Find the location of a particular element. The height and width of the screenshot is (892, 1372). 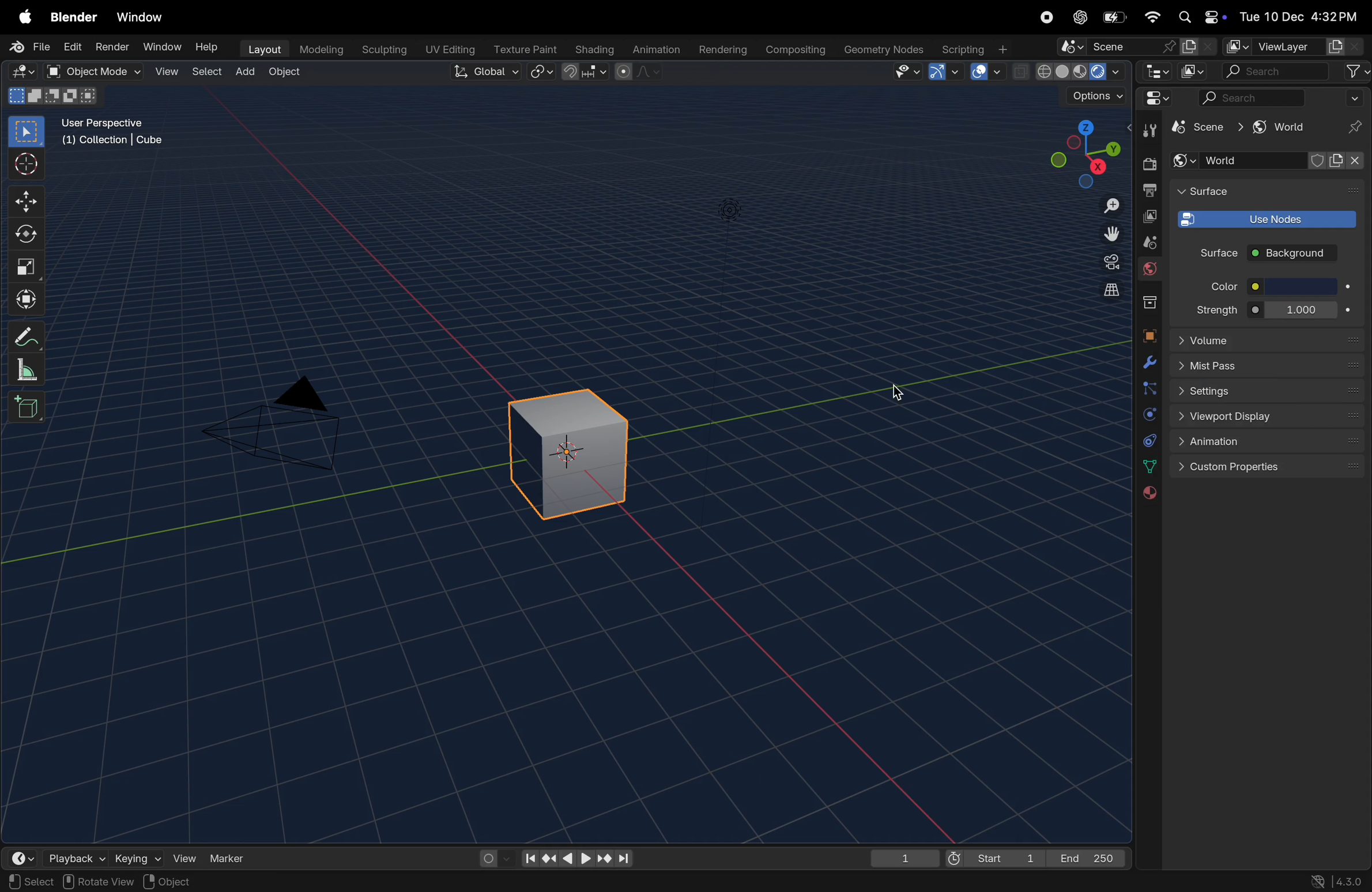

 is located at coordinates (1284, 98).